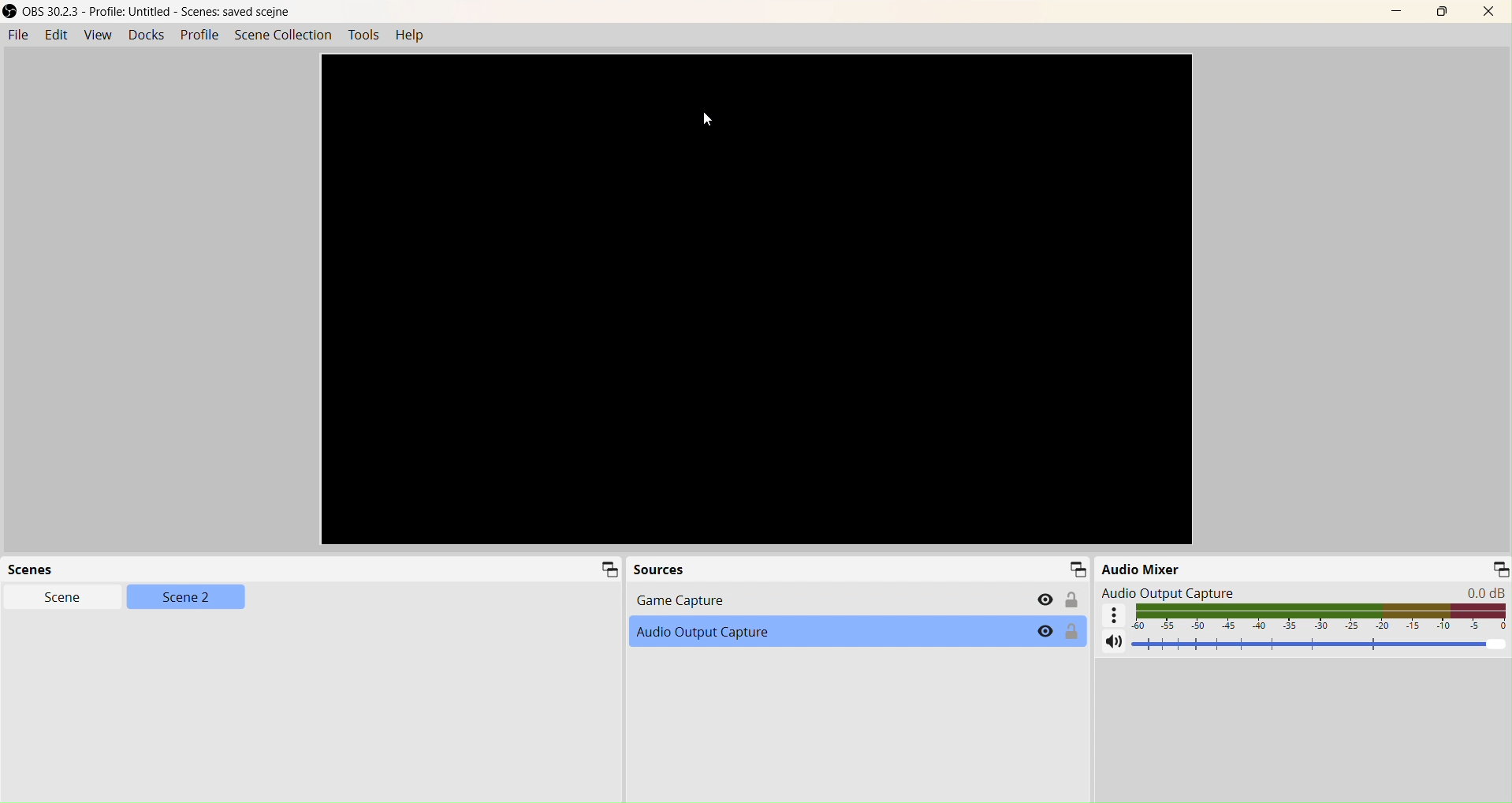 The image size is (1512, 803). Describe the element at coordinates (66, 599) in the screenshot. I see `Scene` at that location.